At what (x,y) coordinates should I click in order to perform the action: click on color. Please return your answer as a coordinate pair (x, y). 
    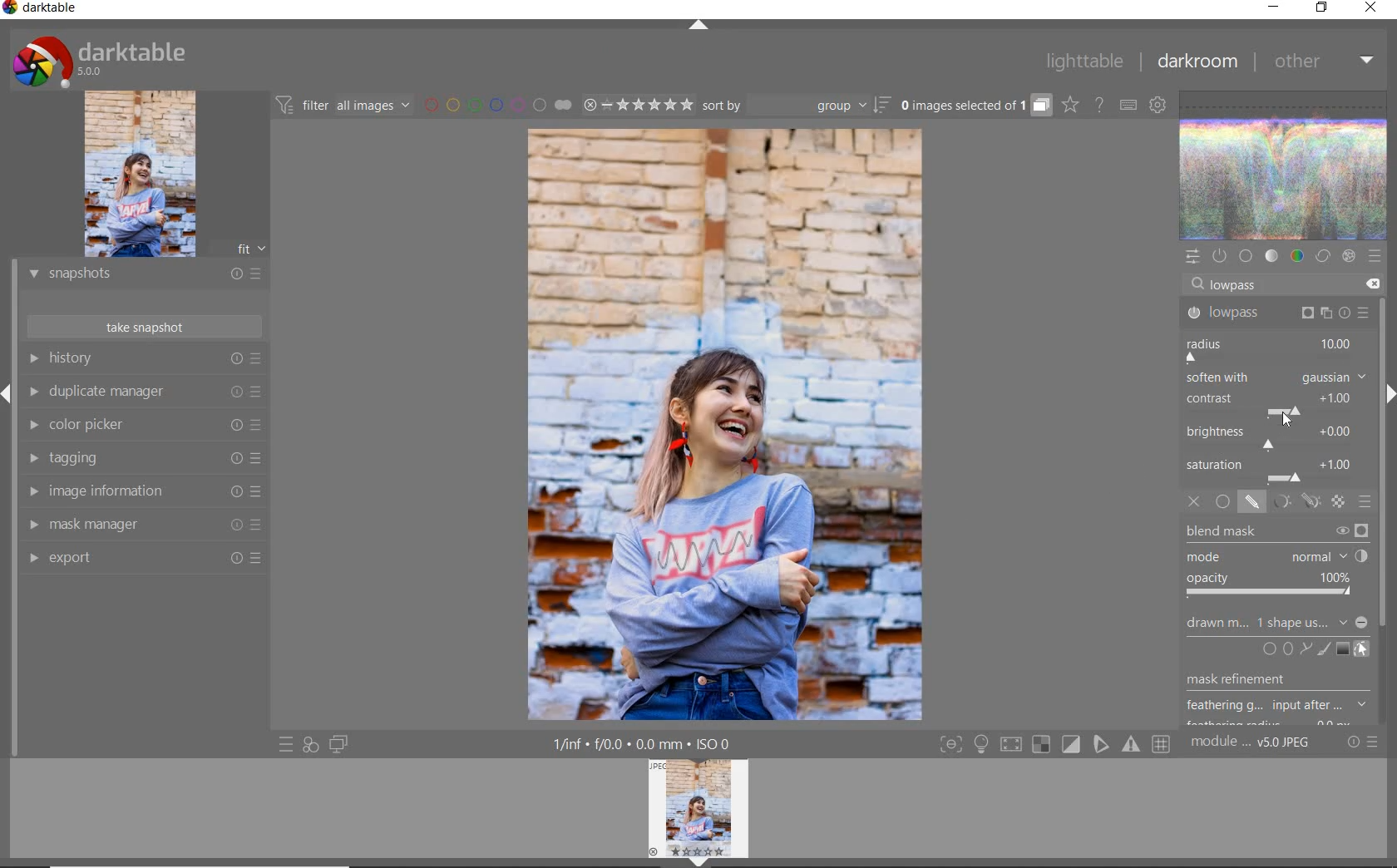
    Looking at the image, I should click on (1296, 257).